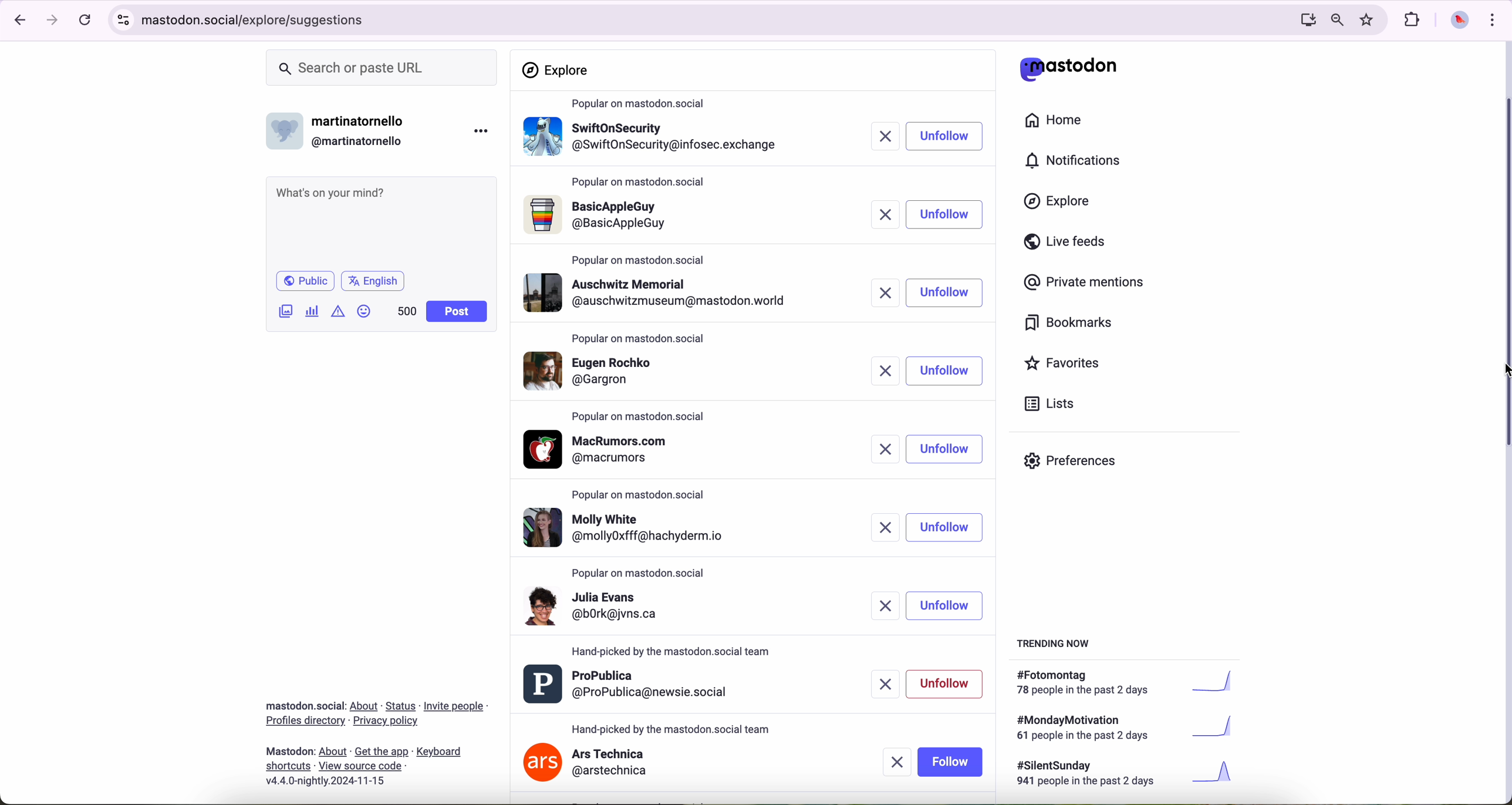  Describe the element at coordinates (1055, 642) in the screenshot. I see `trending now` at that location.